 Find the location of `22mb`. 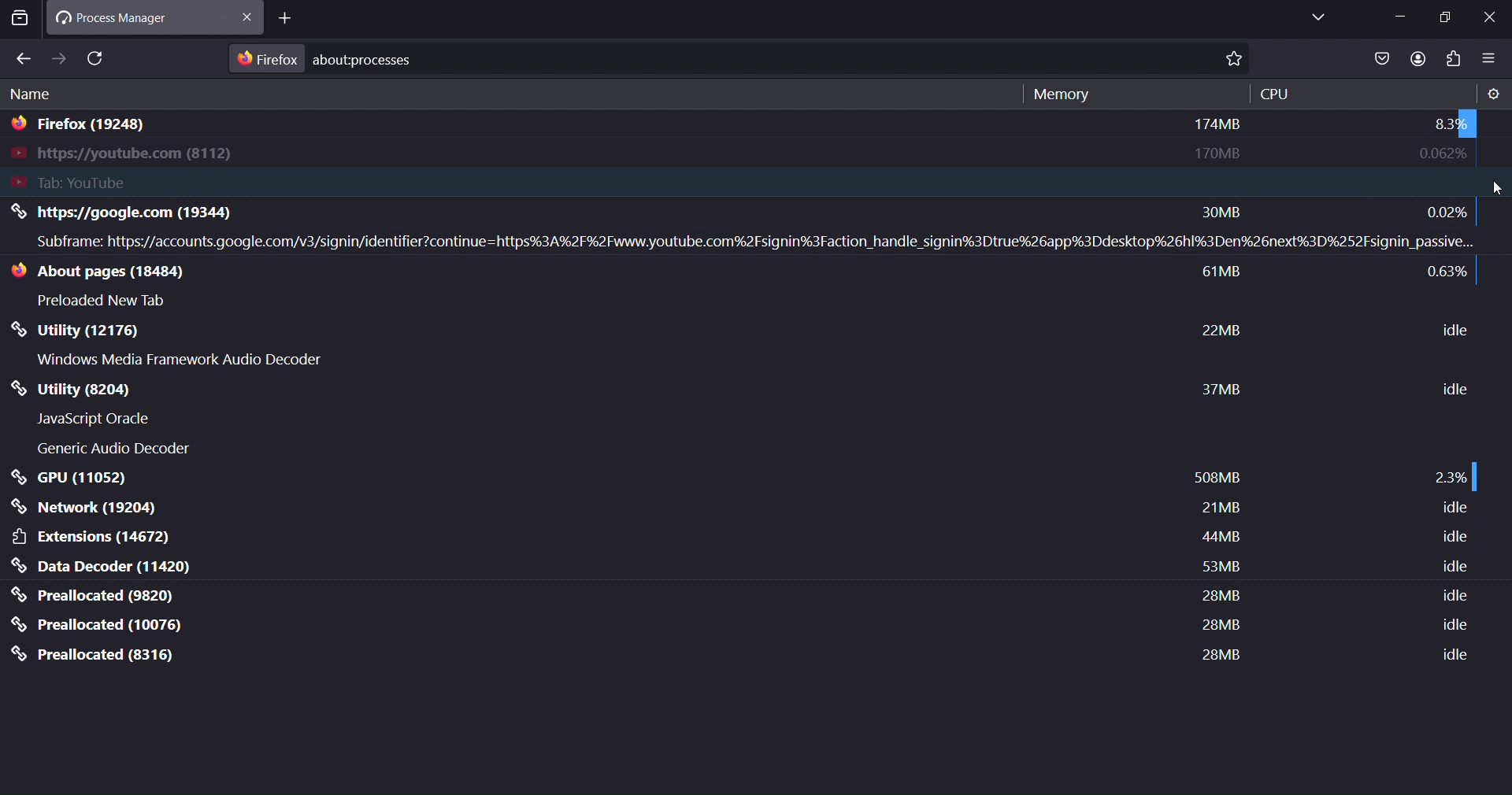

22mb is located at coordinates (1223, 330).